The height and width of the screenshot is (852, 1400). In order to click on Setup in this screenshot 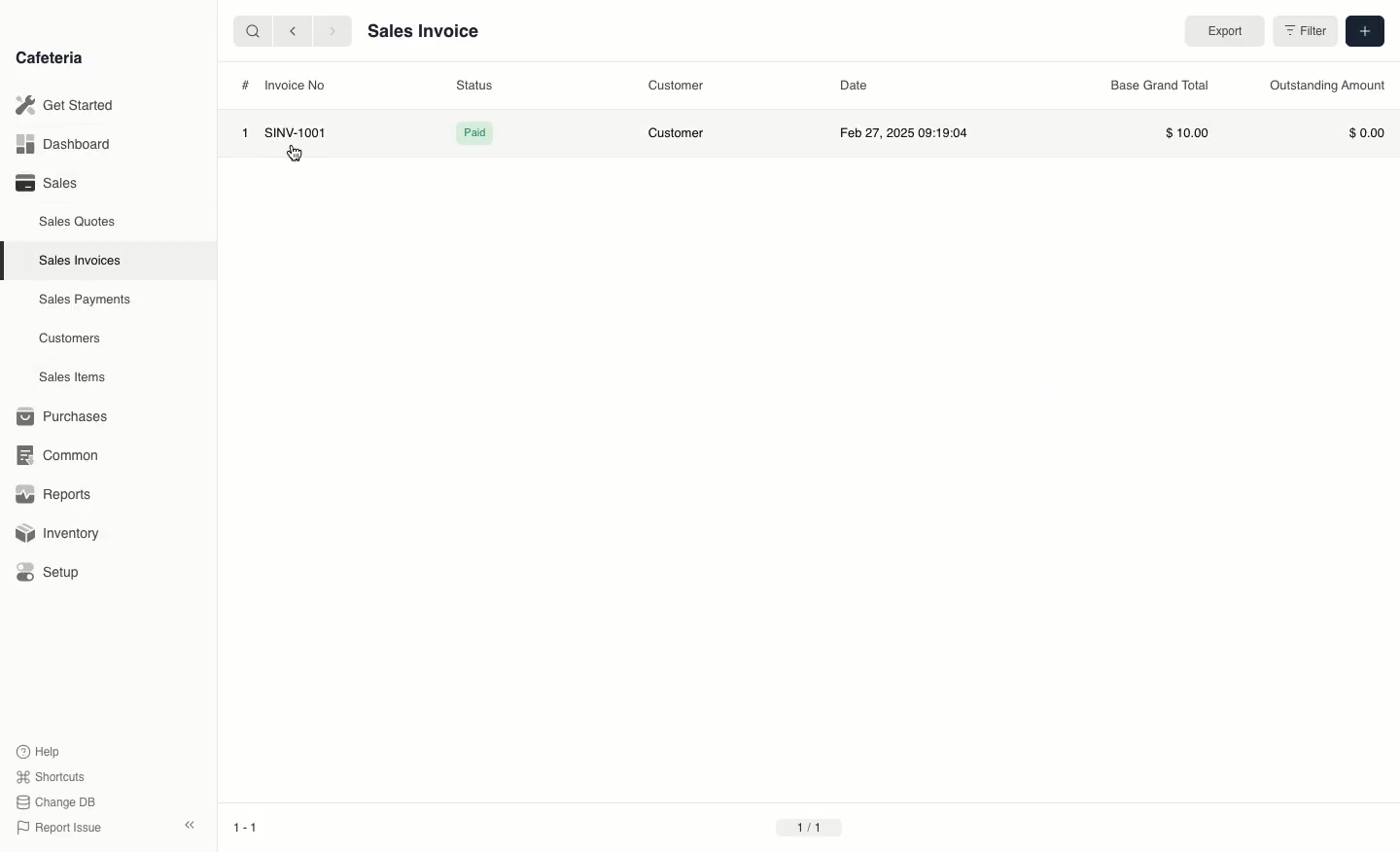, I will do `click(51, 572)`.